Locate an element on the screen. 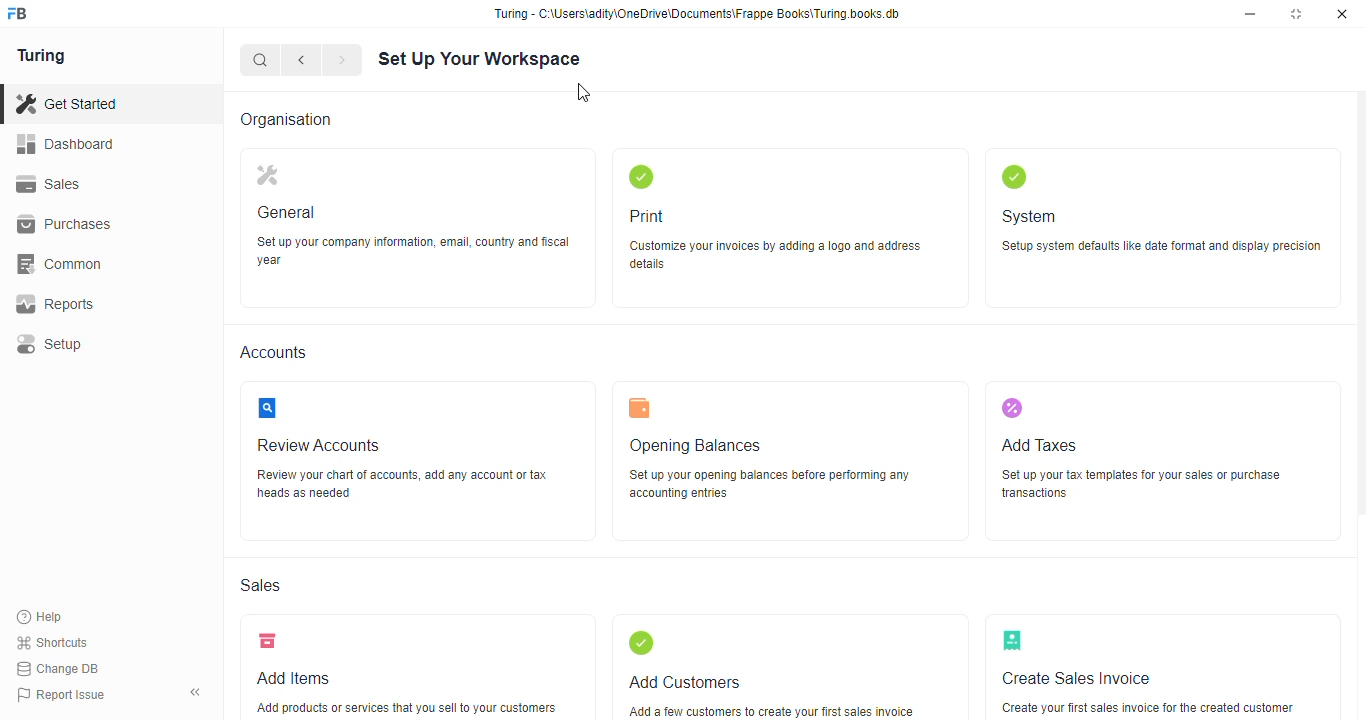  Get Started is located at coordinates (91, 102).